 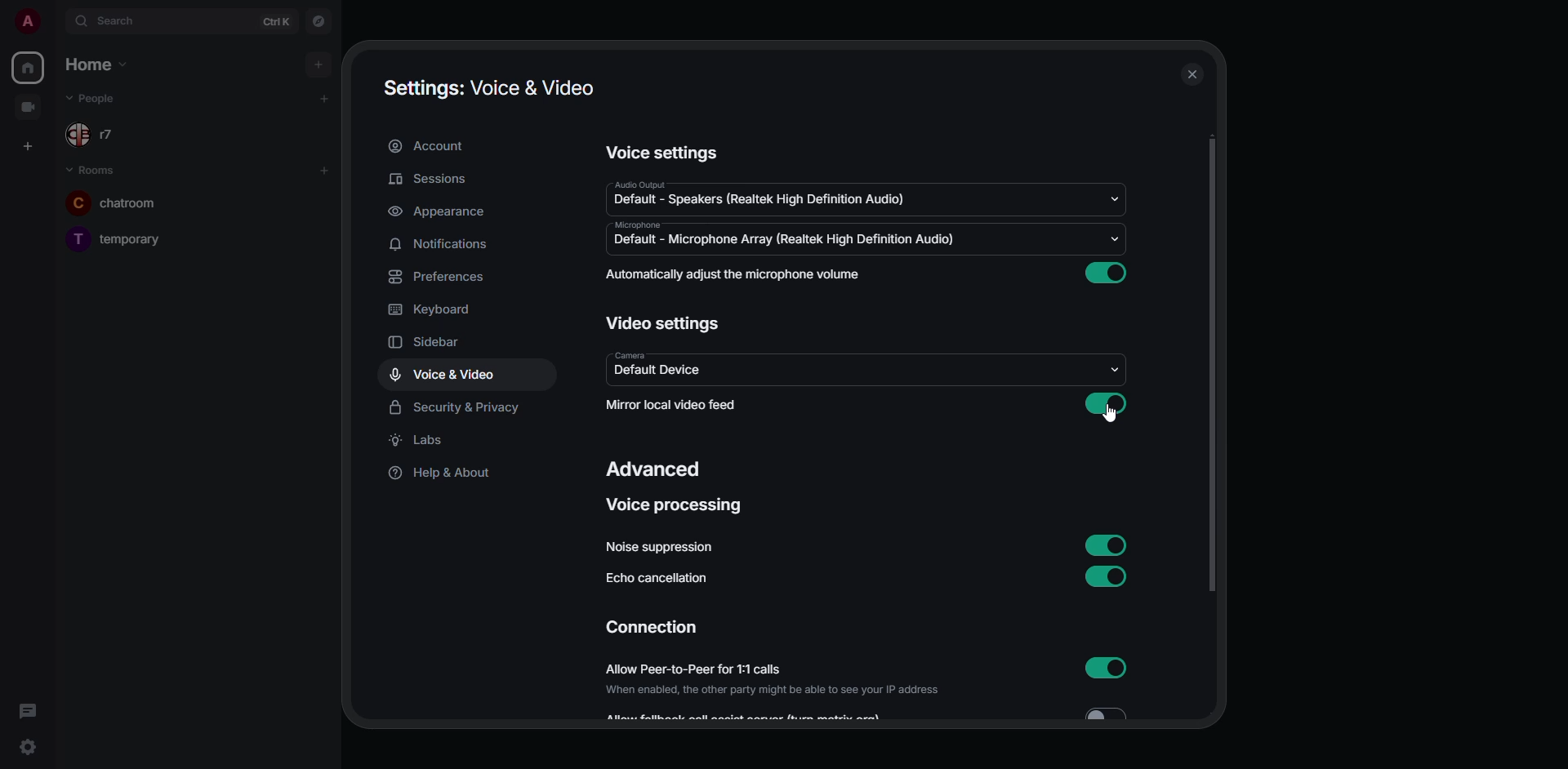 What do you see at coordinates (95, 172) in the screenshot?
I see `rooms` at bounding box center [95, 172].